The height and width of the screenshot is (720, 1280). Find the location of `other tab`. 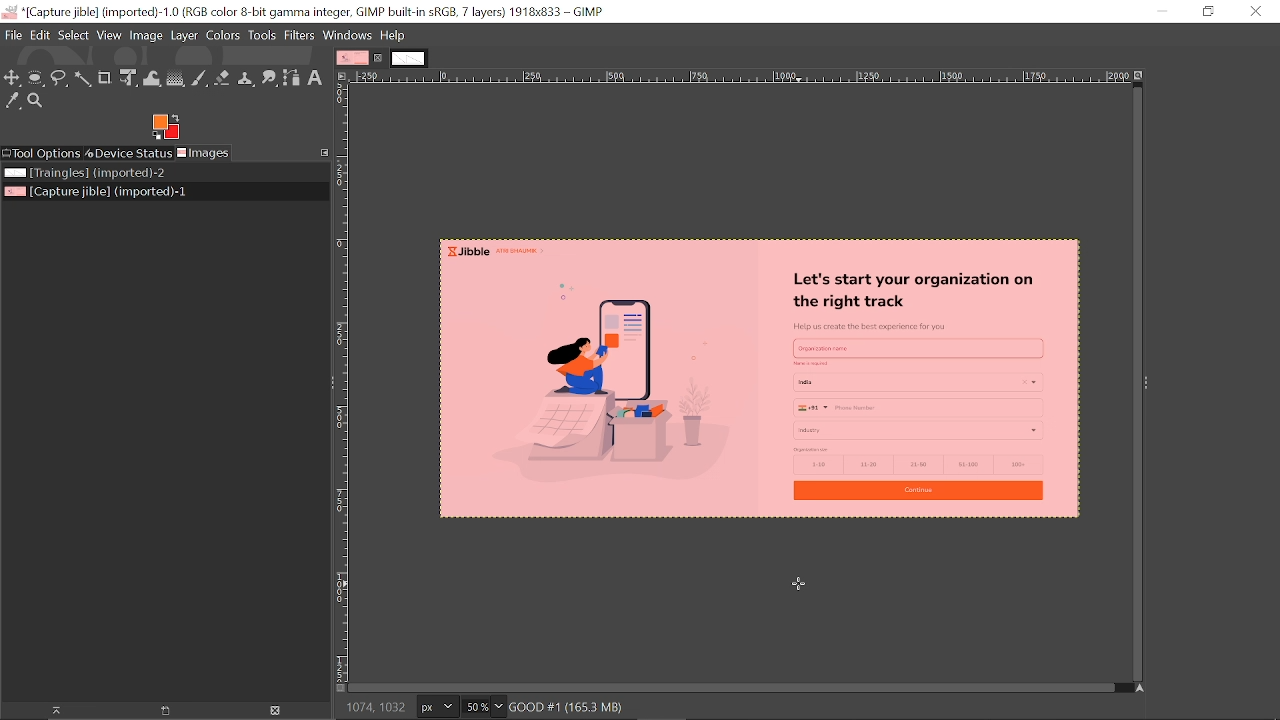

other tab is located at coordinates (409, 59).